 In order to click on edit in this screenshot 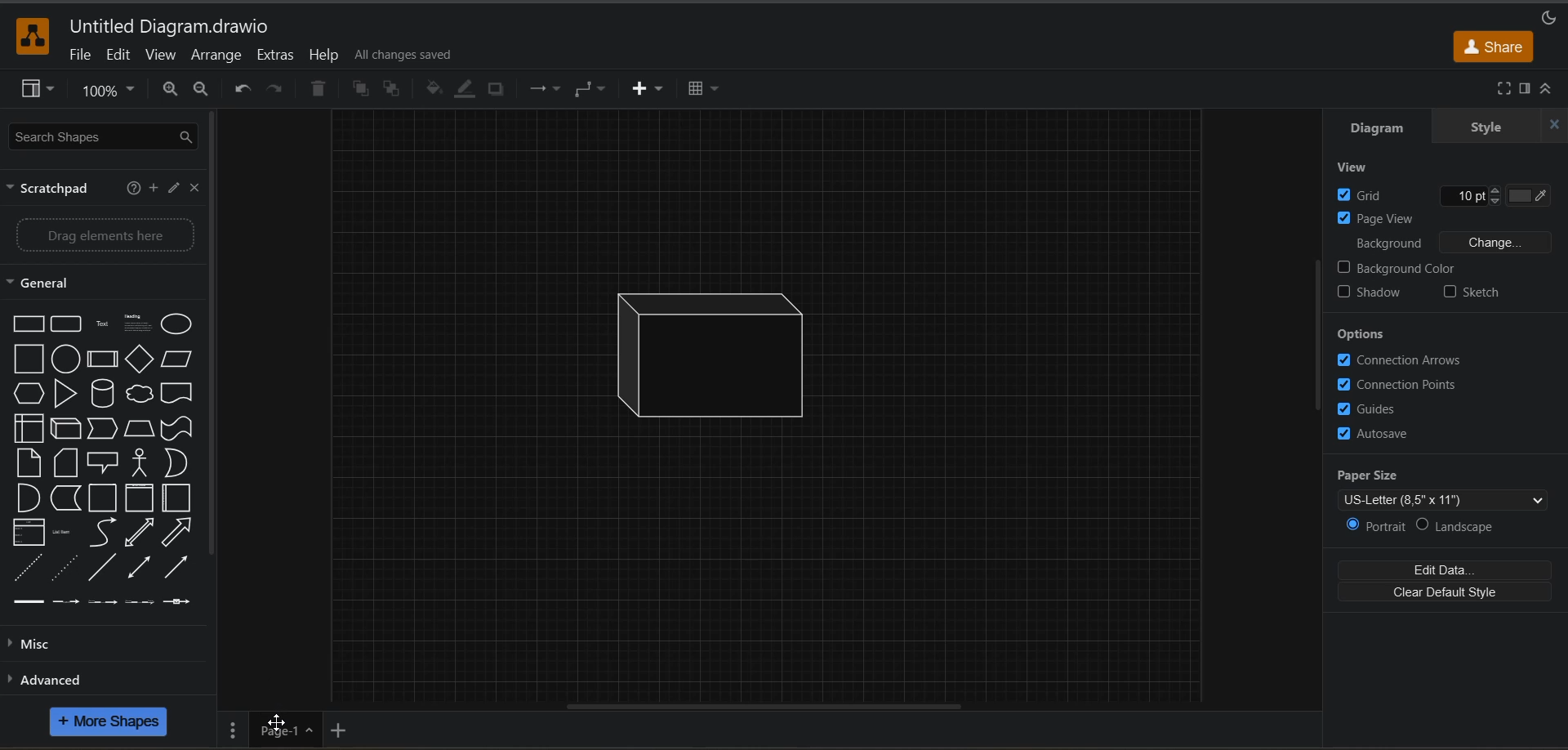, I will do `click(171, 190)`.